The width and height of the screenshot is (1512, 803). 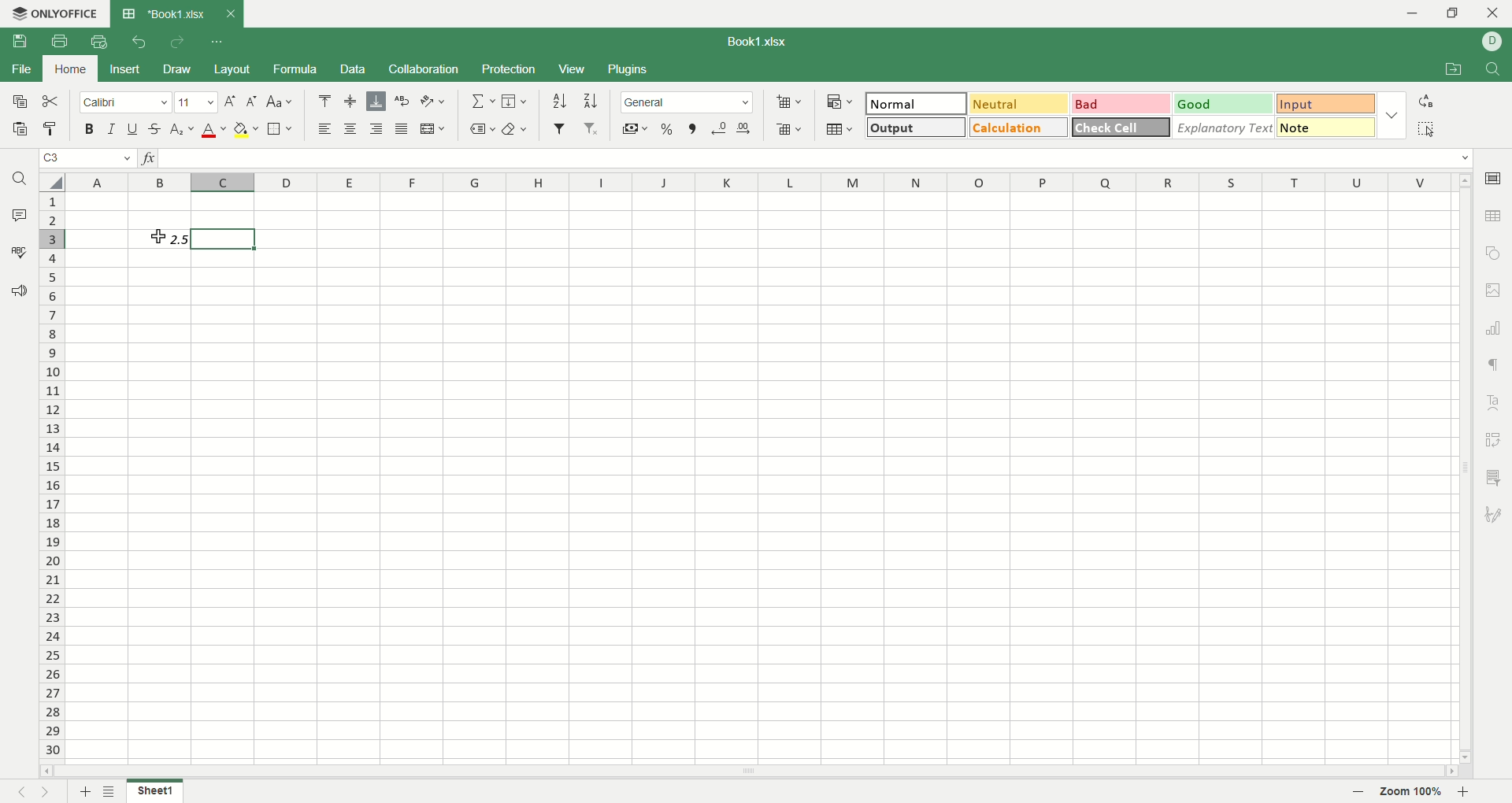 What do you see at coordinates (178, 41) in the screenshot?
I see `redo` at bounding box center [178, 41].